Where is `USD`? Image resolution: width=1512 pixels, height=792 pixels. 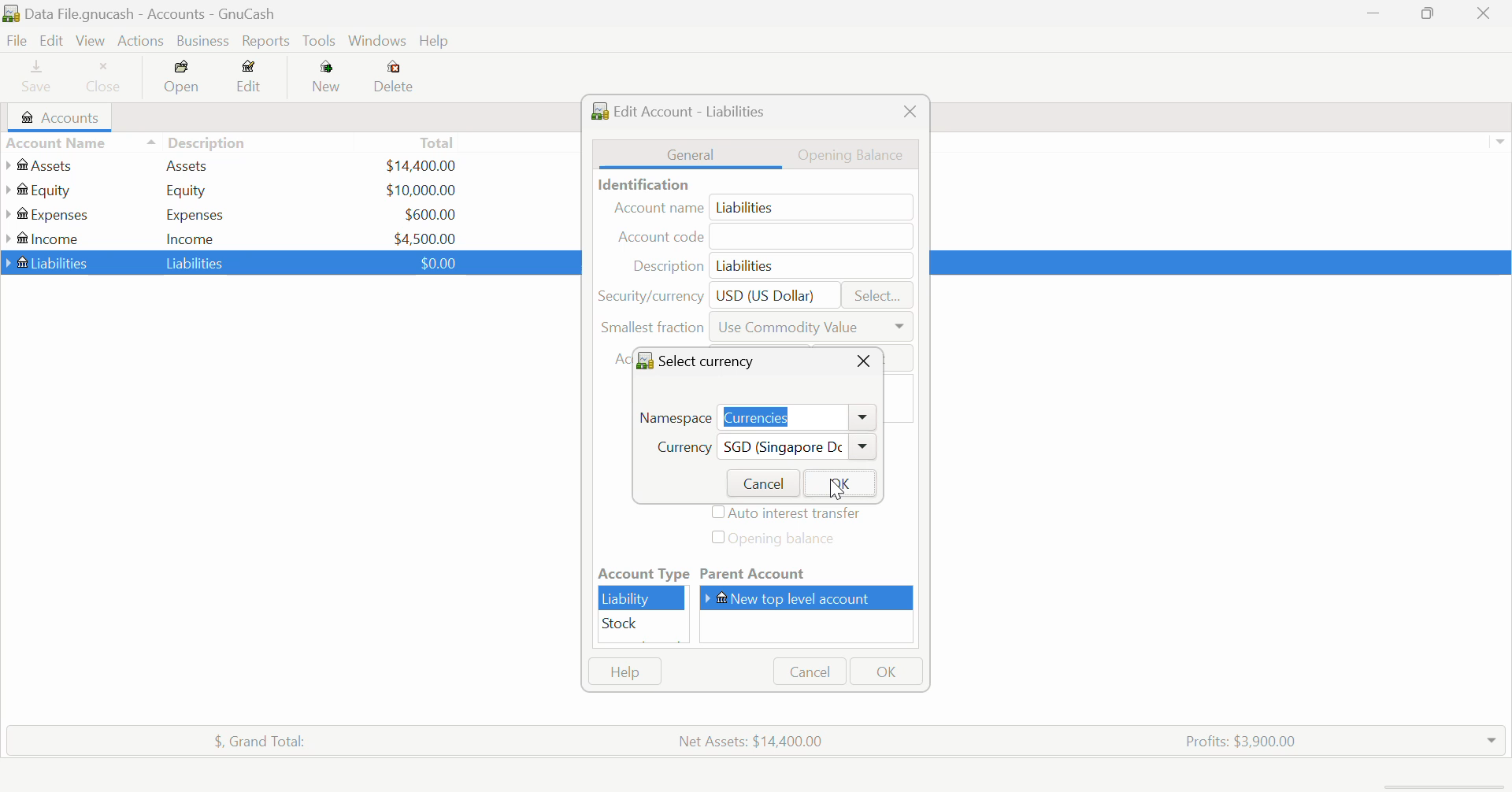 USD is located at coordinates (425, 237).